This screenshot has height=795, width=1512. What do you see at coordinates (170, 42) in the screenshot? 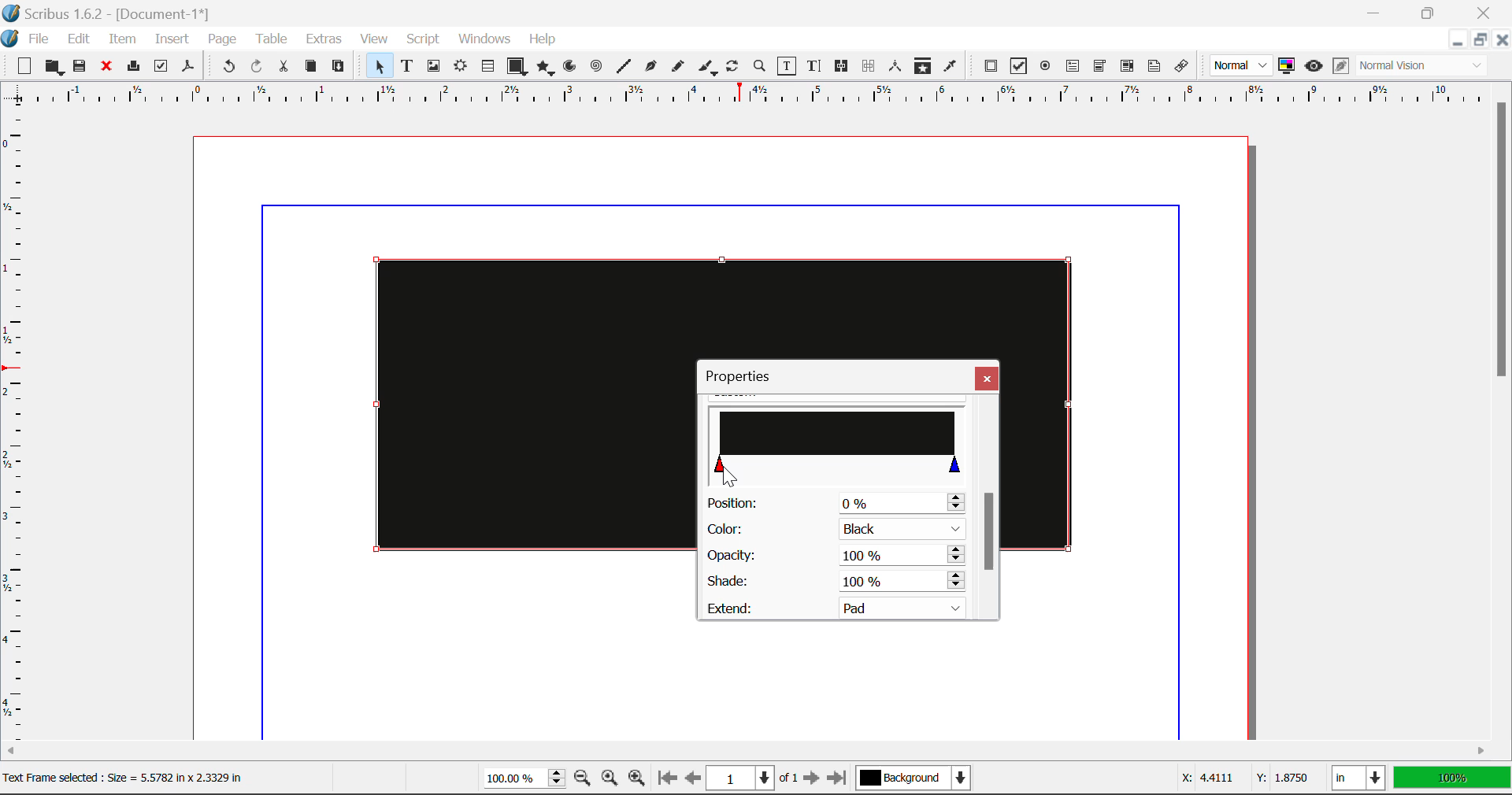
I see `Insert` at bounding box center [170, 42].